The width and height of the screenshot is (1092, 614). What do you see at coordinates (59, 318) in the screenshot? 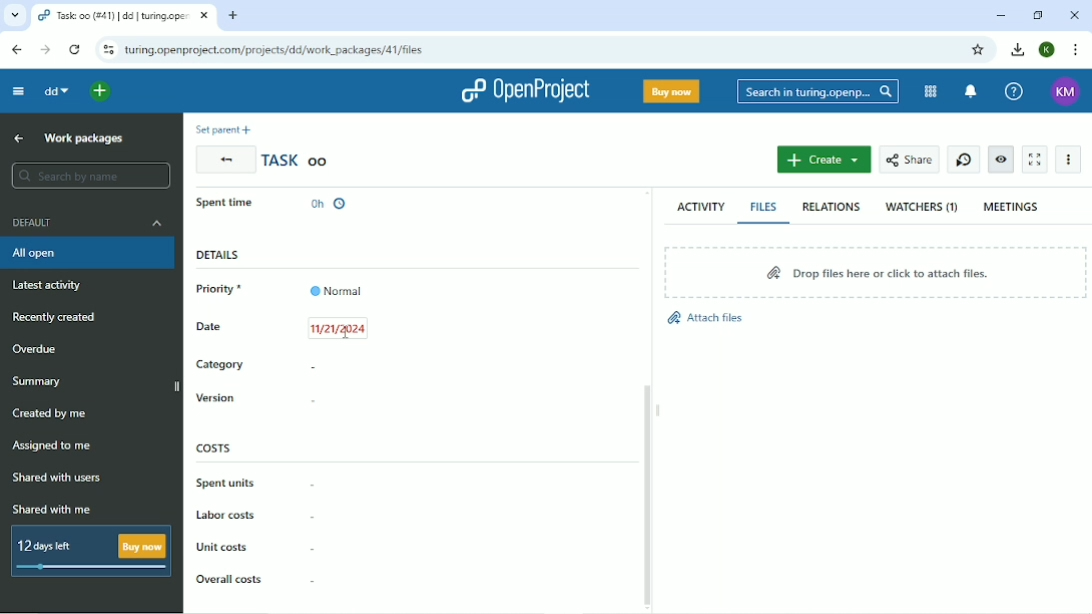
I see `Recently created` at bounding box center [59, 318].